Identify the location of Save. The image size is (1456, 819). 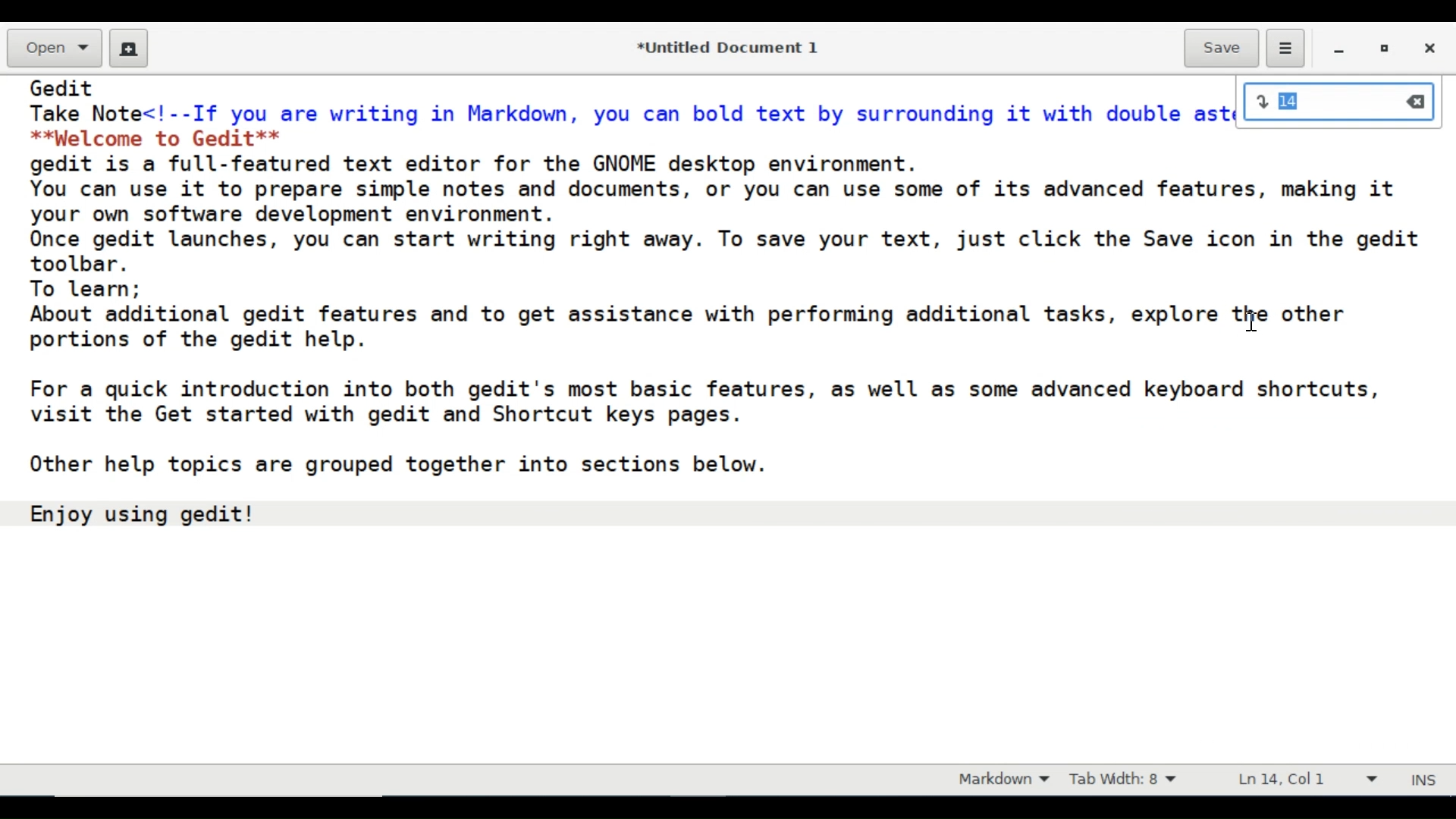
(1221, 49).